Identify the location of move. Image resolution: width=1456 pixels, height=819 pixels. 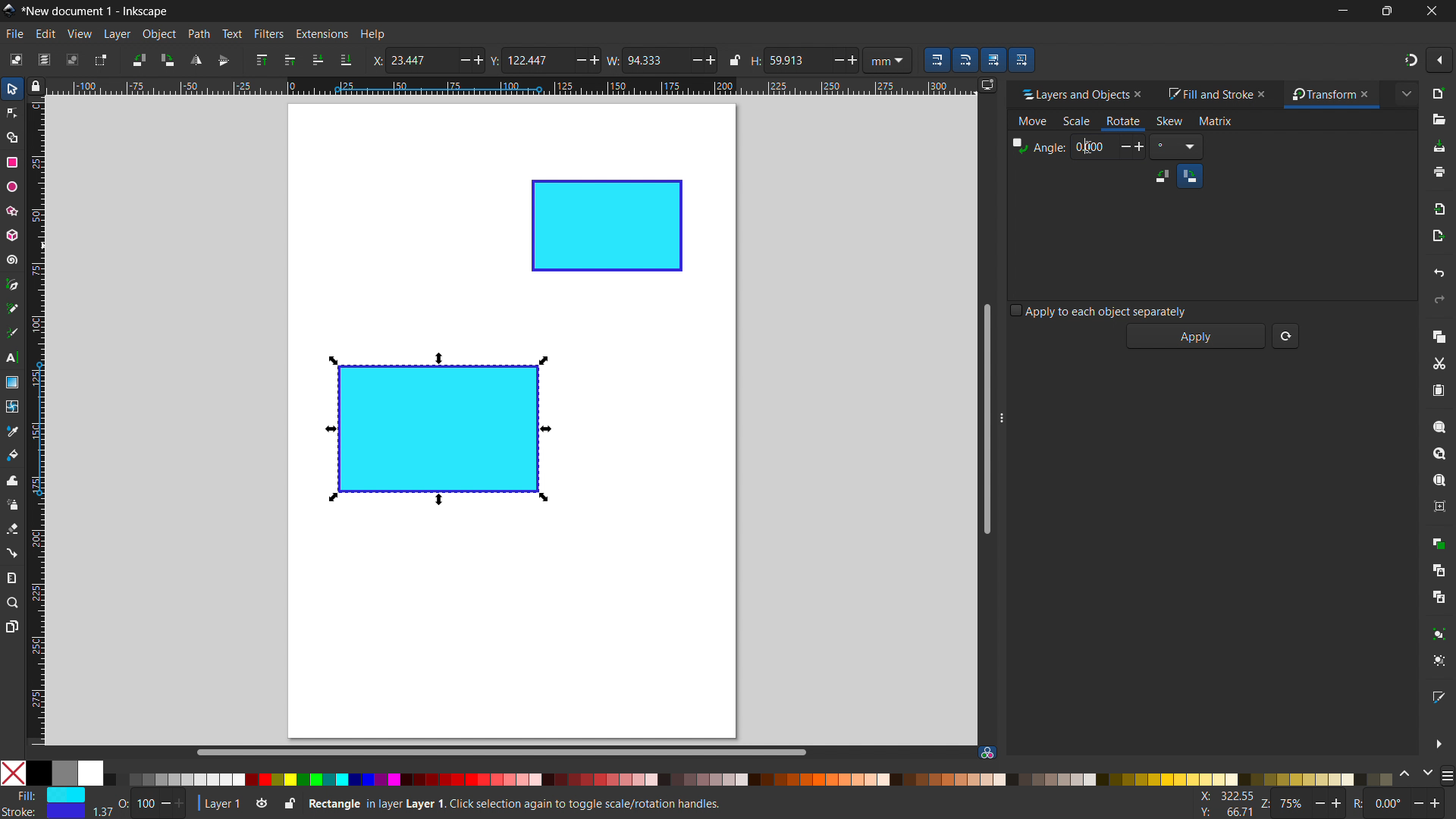
(1033, 122).